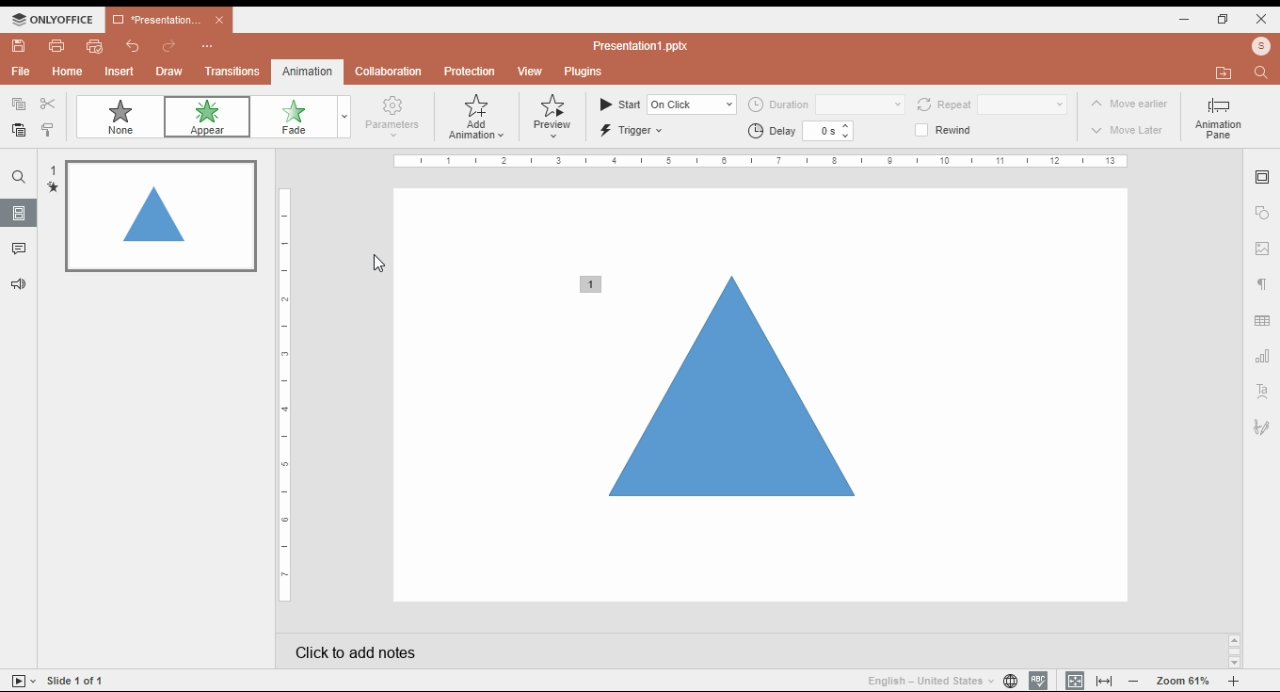  What do you see at coordinates (629, 130) in the screenshot?
I see `trigger` at bounding box center [629, 130].